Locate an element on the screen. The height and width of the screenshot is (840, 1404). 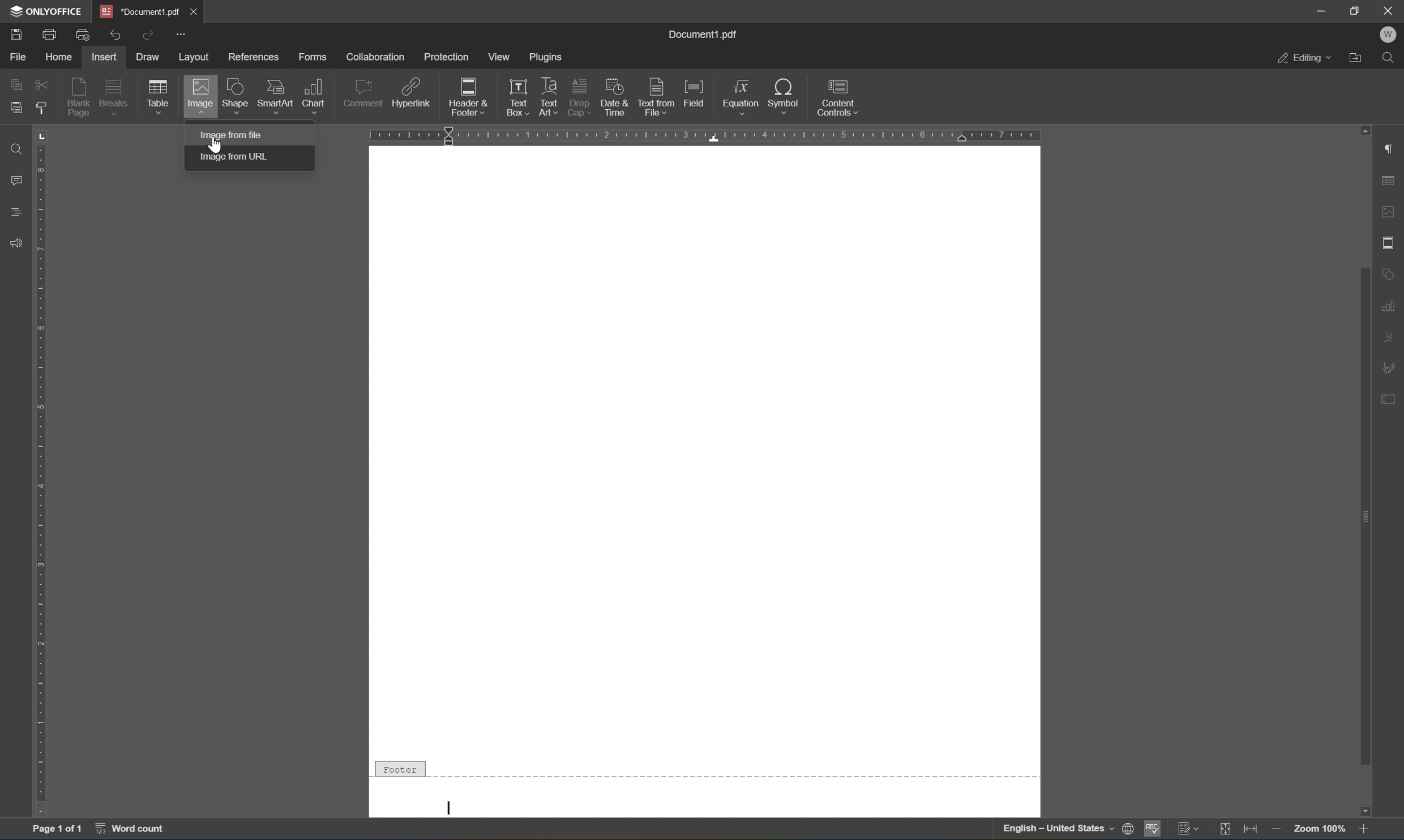
symbol is located at coordinates (784, 95).